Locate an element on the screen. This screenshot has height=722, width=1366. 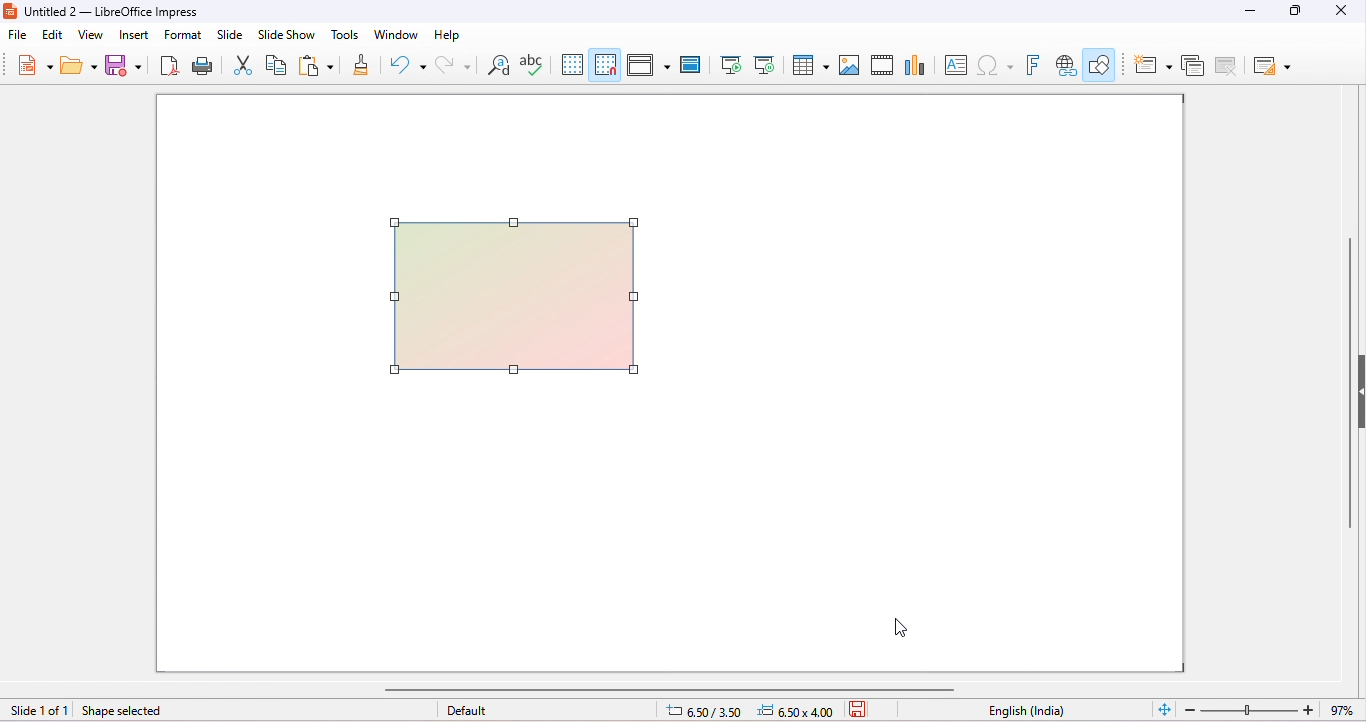
insert text box is located at coordinates (954, 64).